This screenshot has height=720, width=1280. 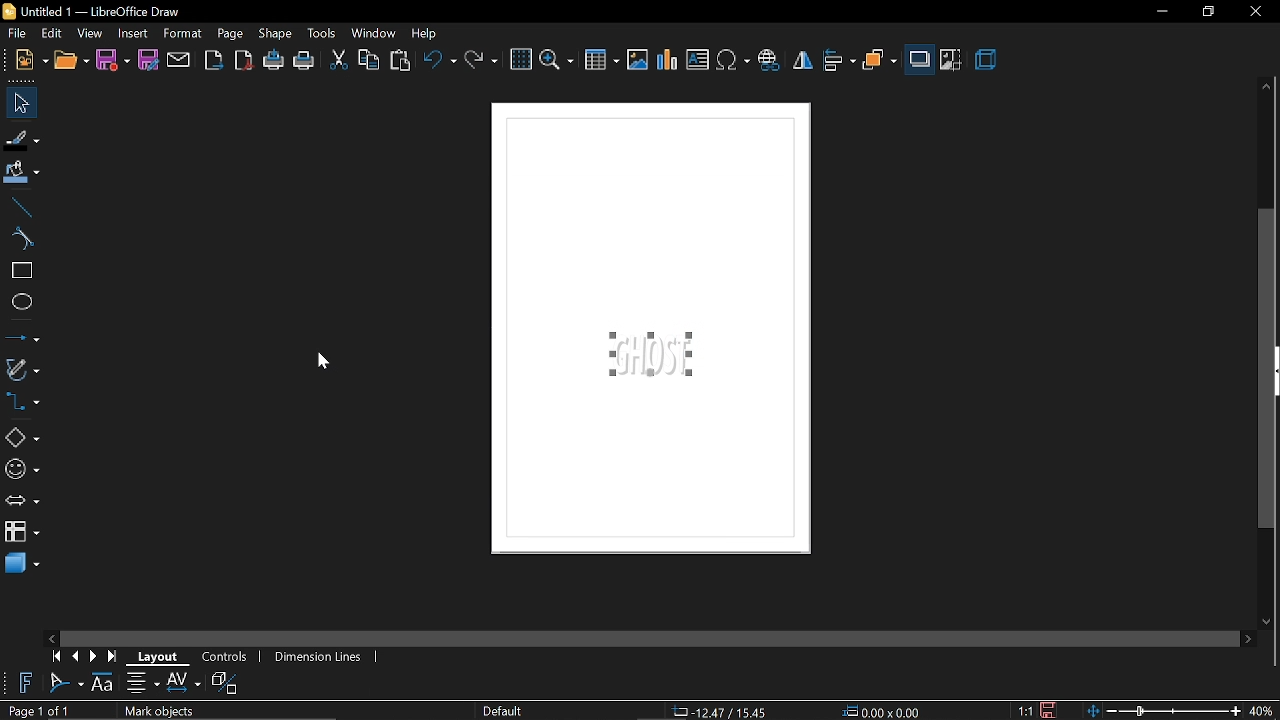 What do you see at coordinates (73, 658) in the screenshot?
I see `previous page` at bounding box center [73, 658].